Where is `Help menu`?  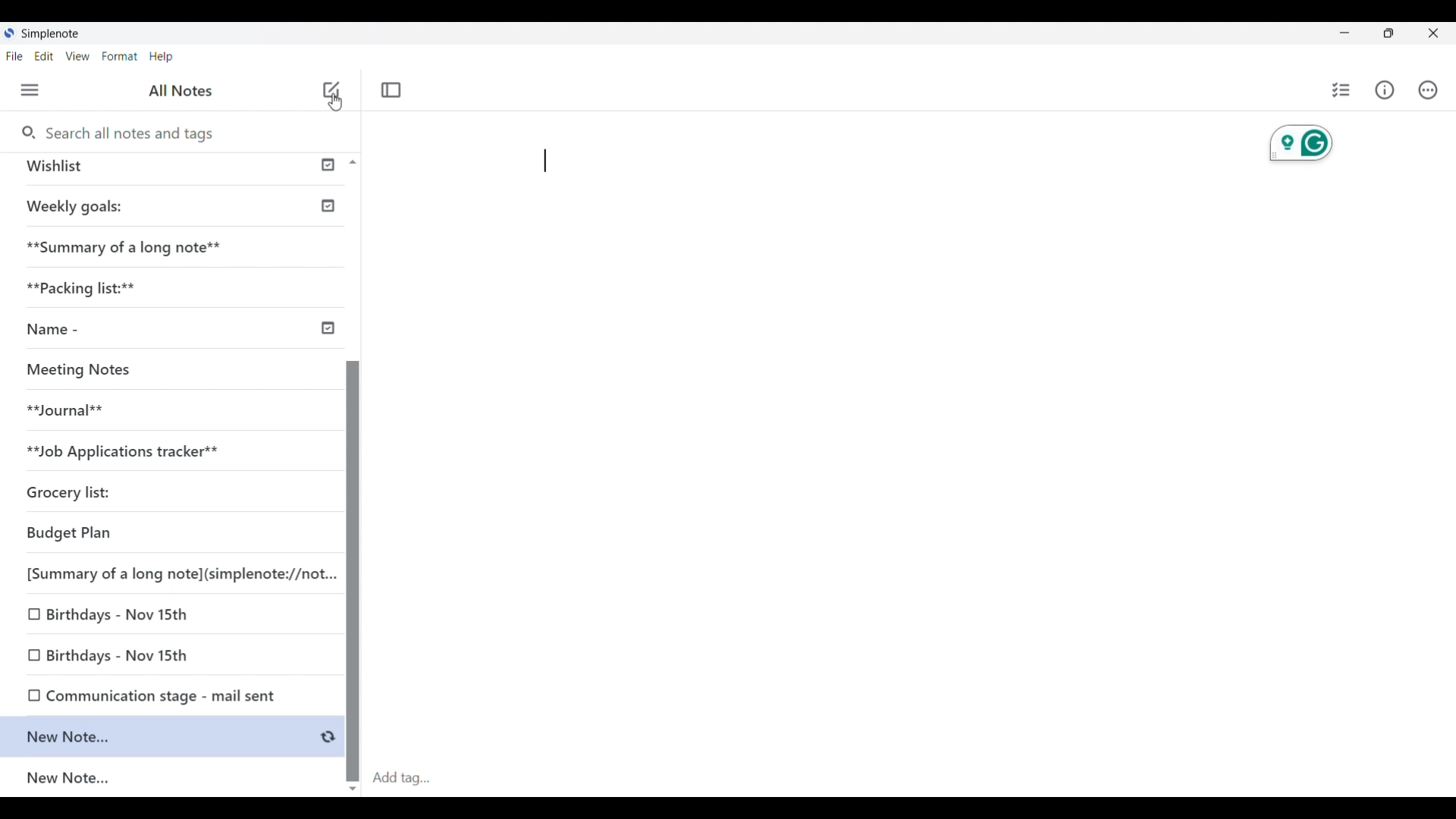
Help menu is located at coordinates (161, 58).